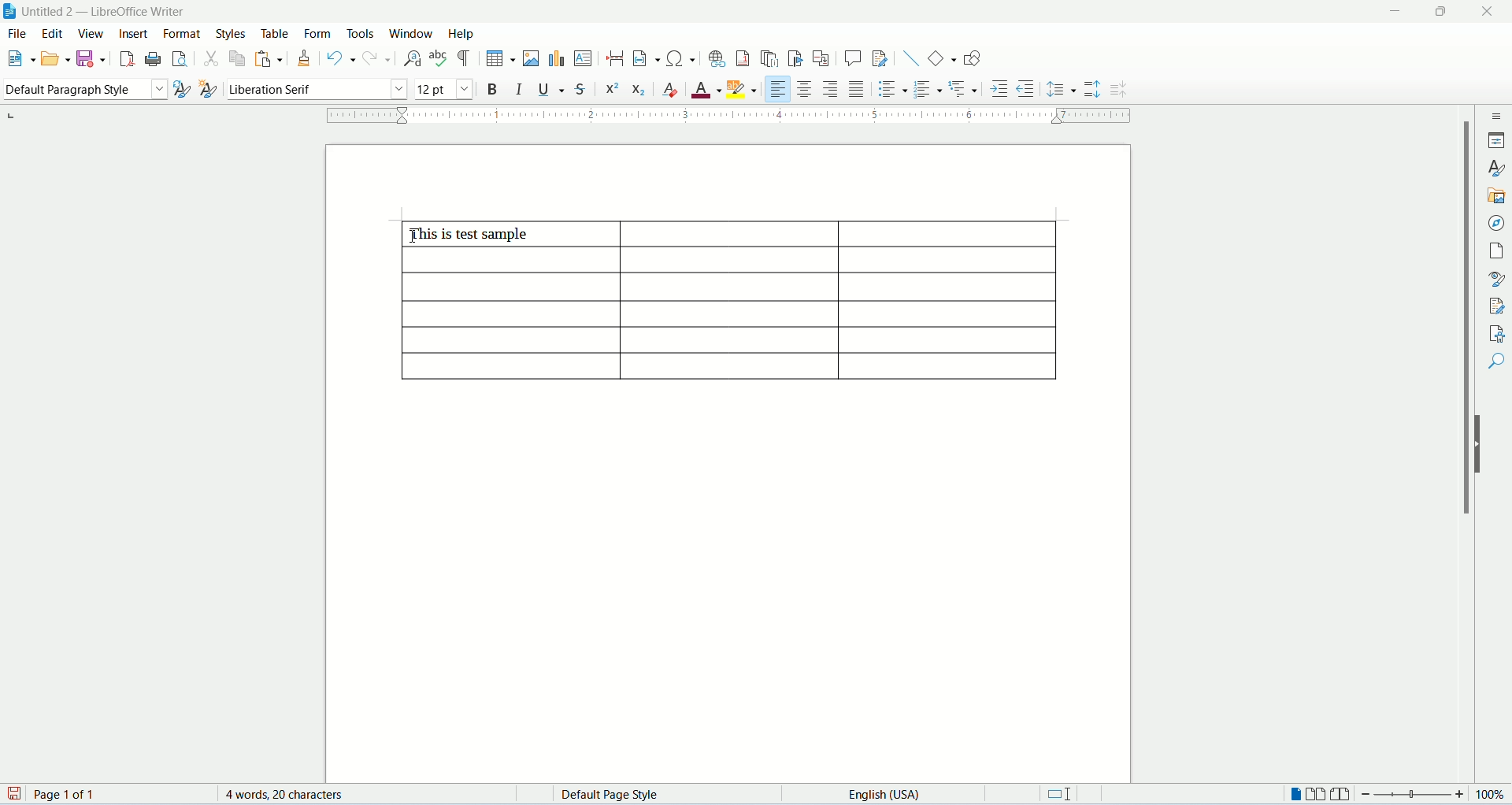  Describe the element at coordinates (56, 59) in the screenshot. I see `open` at that location.